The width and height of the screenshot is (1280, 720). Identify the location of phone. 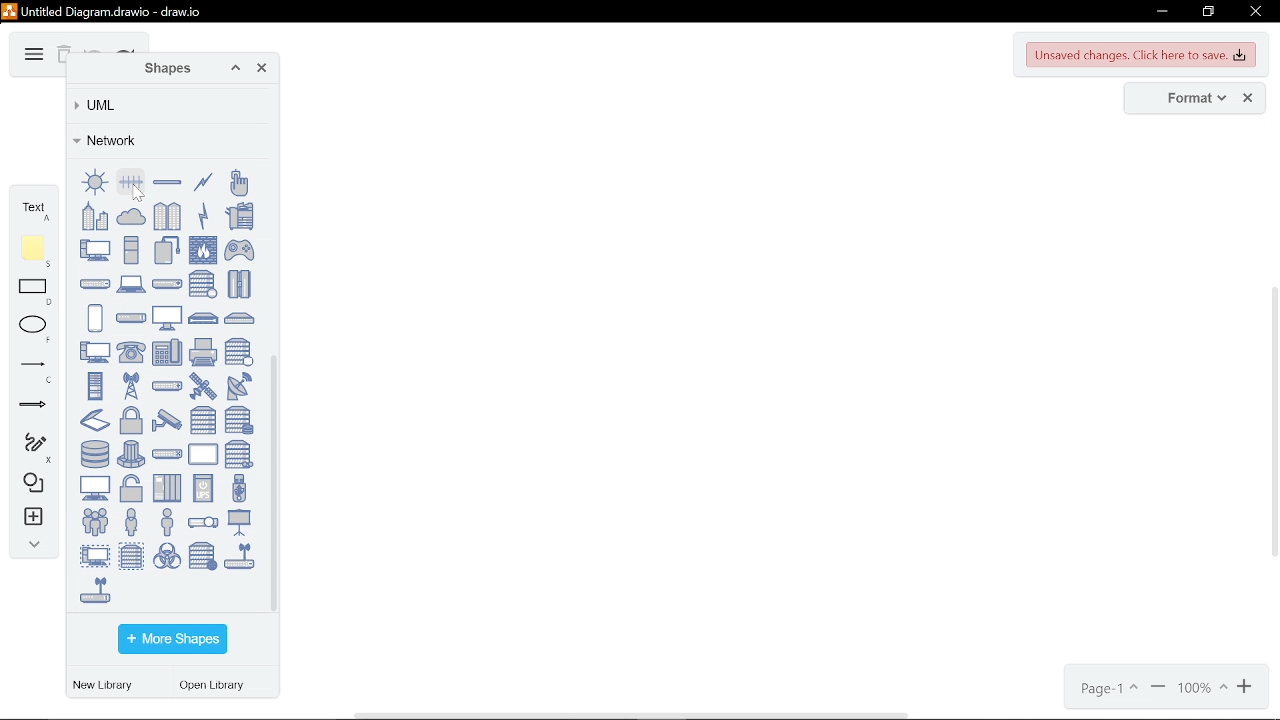
(167, 352).